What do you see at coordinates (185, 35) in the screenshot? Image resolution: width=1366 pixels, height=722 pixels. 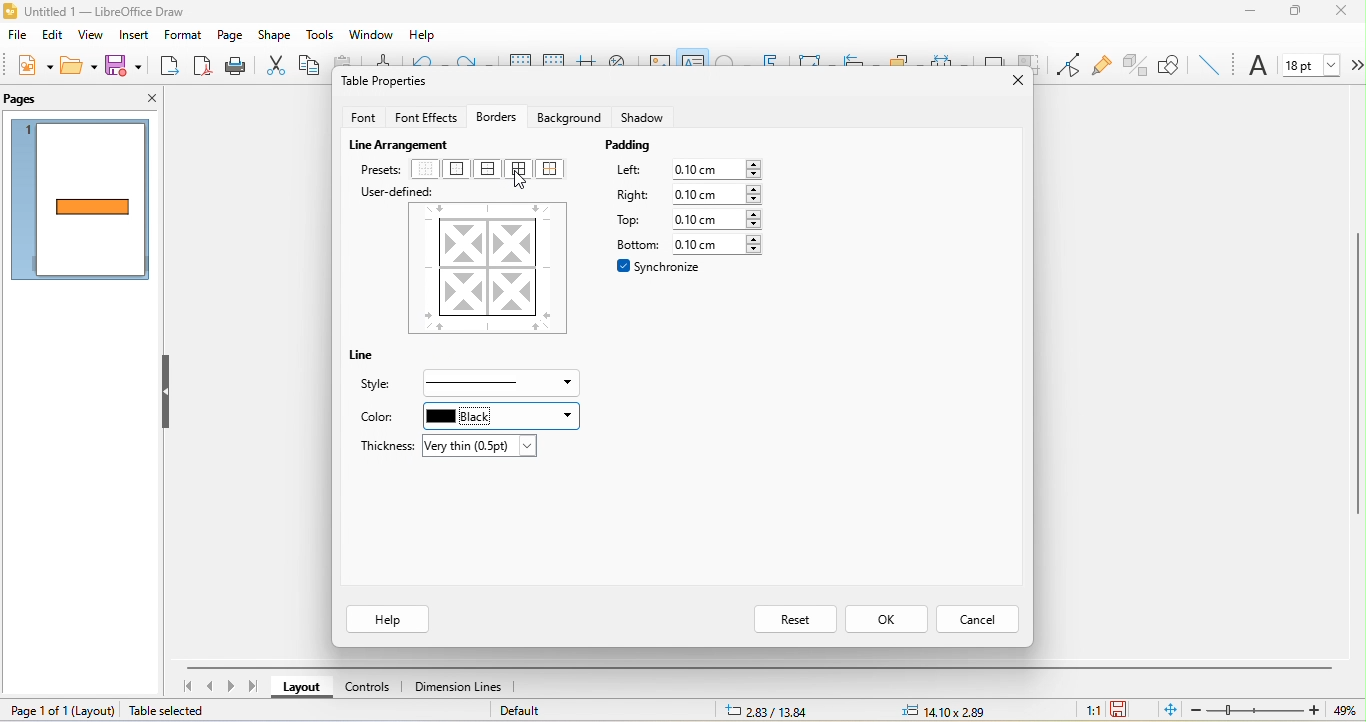 I see `format` at bounding box center [185, 35].